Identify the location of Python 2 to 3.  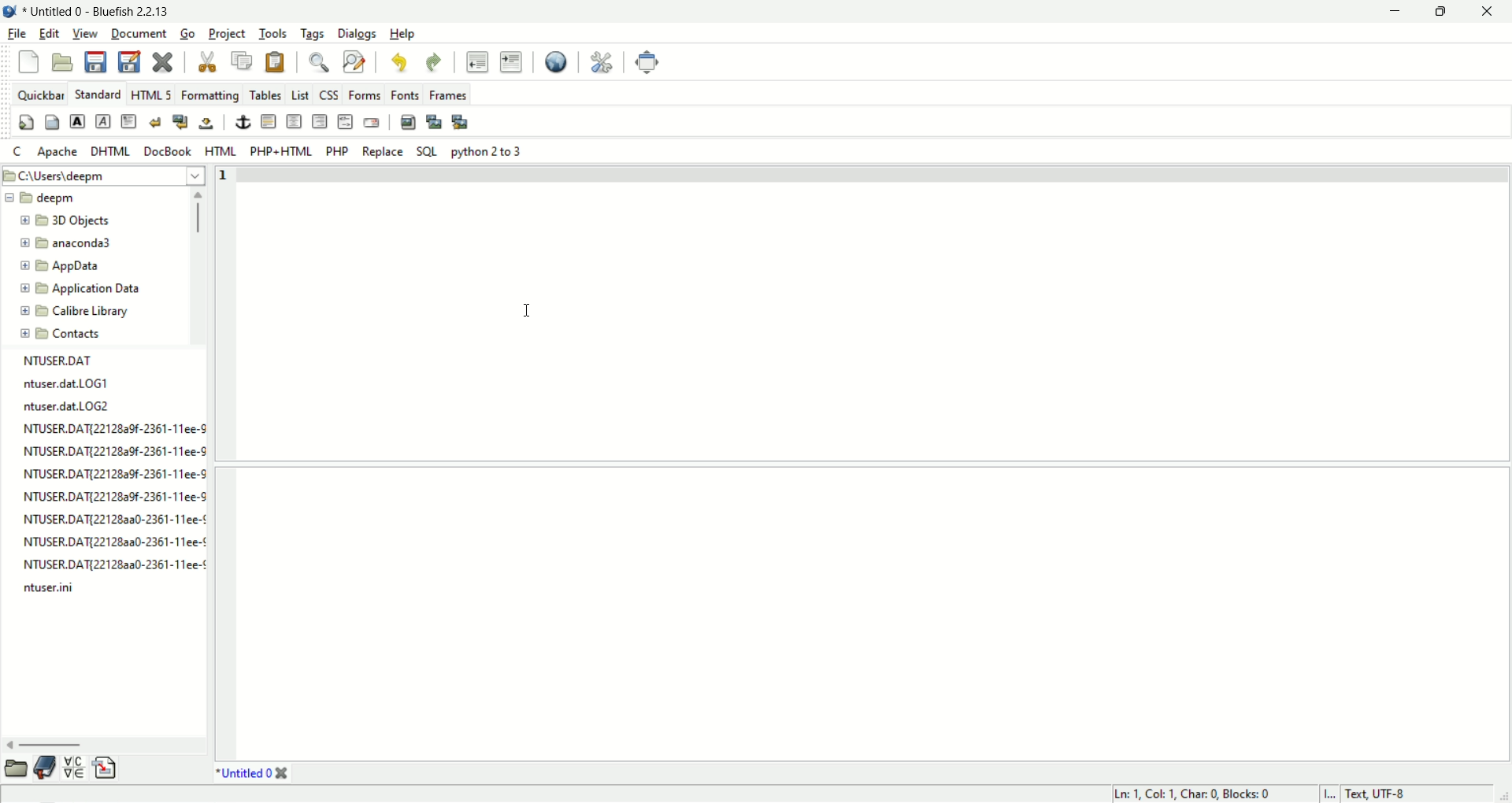
(487, 151).